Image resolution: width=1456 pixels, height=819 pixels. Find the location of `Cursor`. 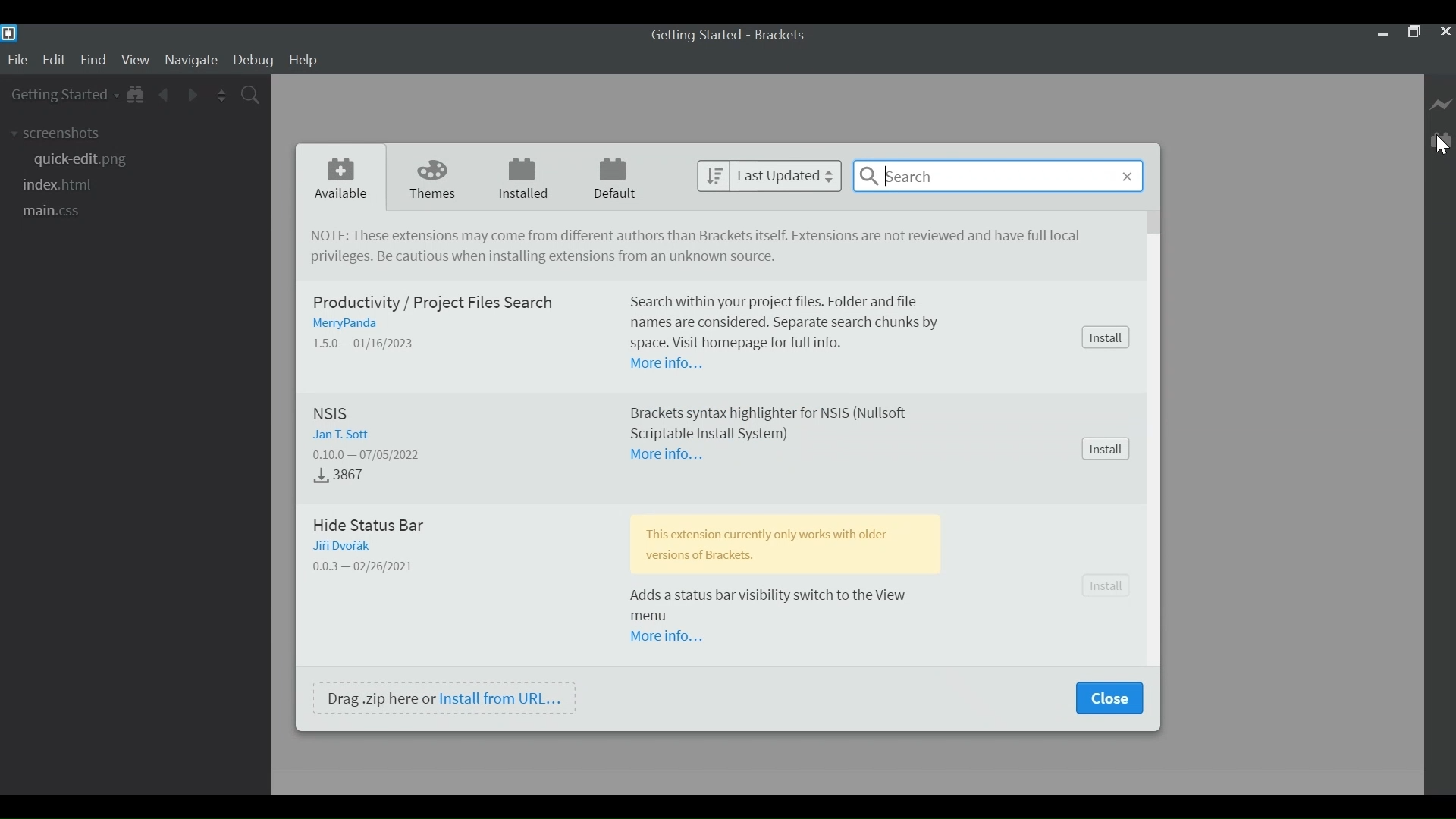

Cursor is located at coordinates (1441, 147).